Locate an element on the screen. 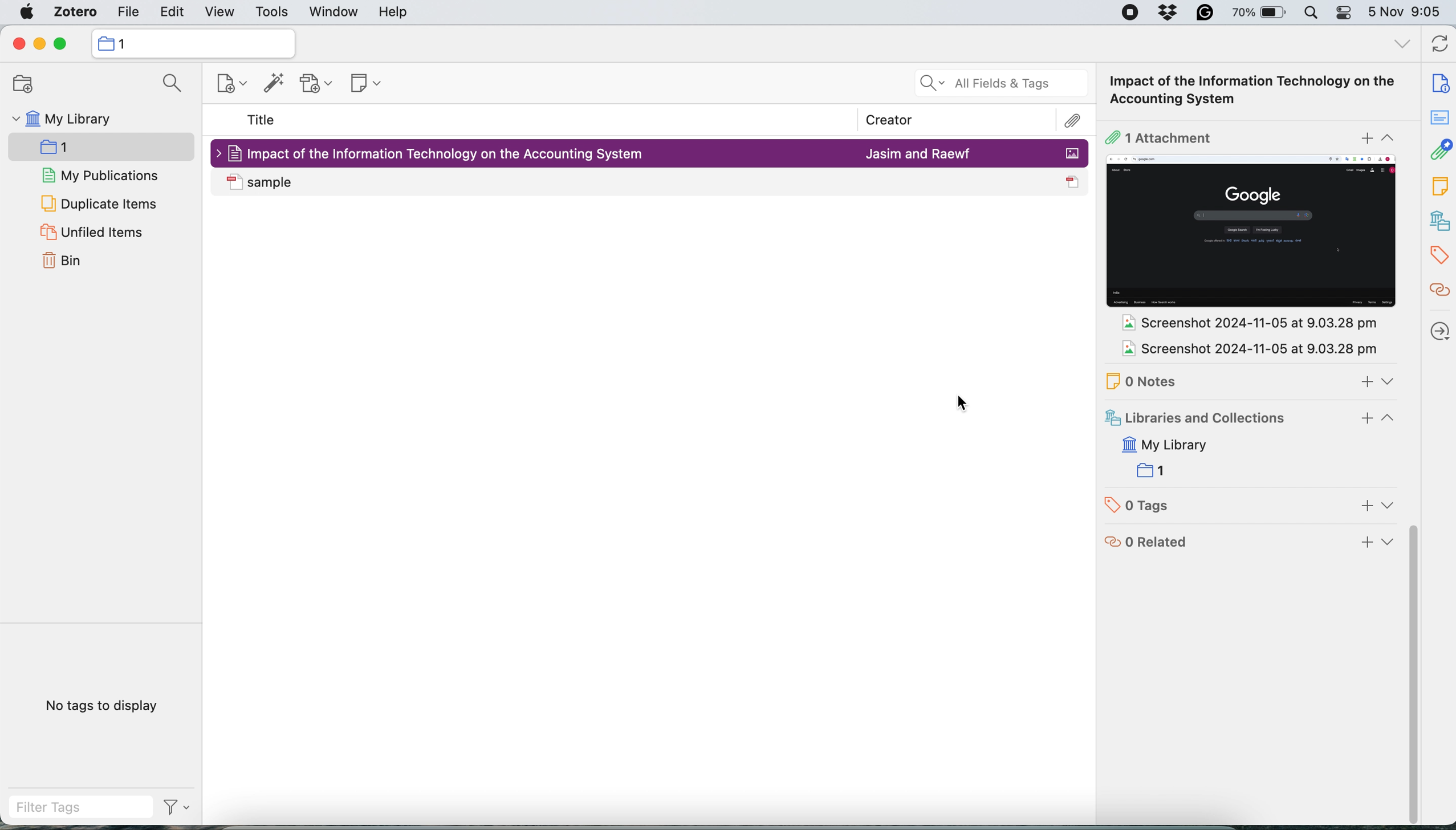  filter tags is located at coordinates (100, 807).